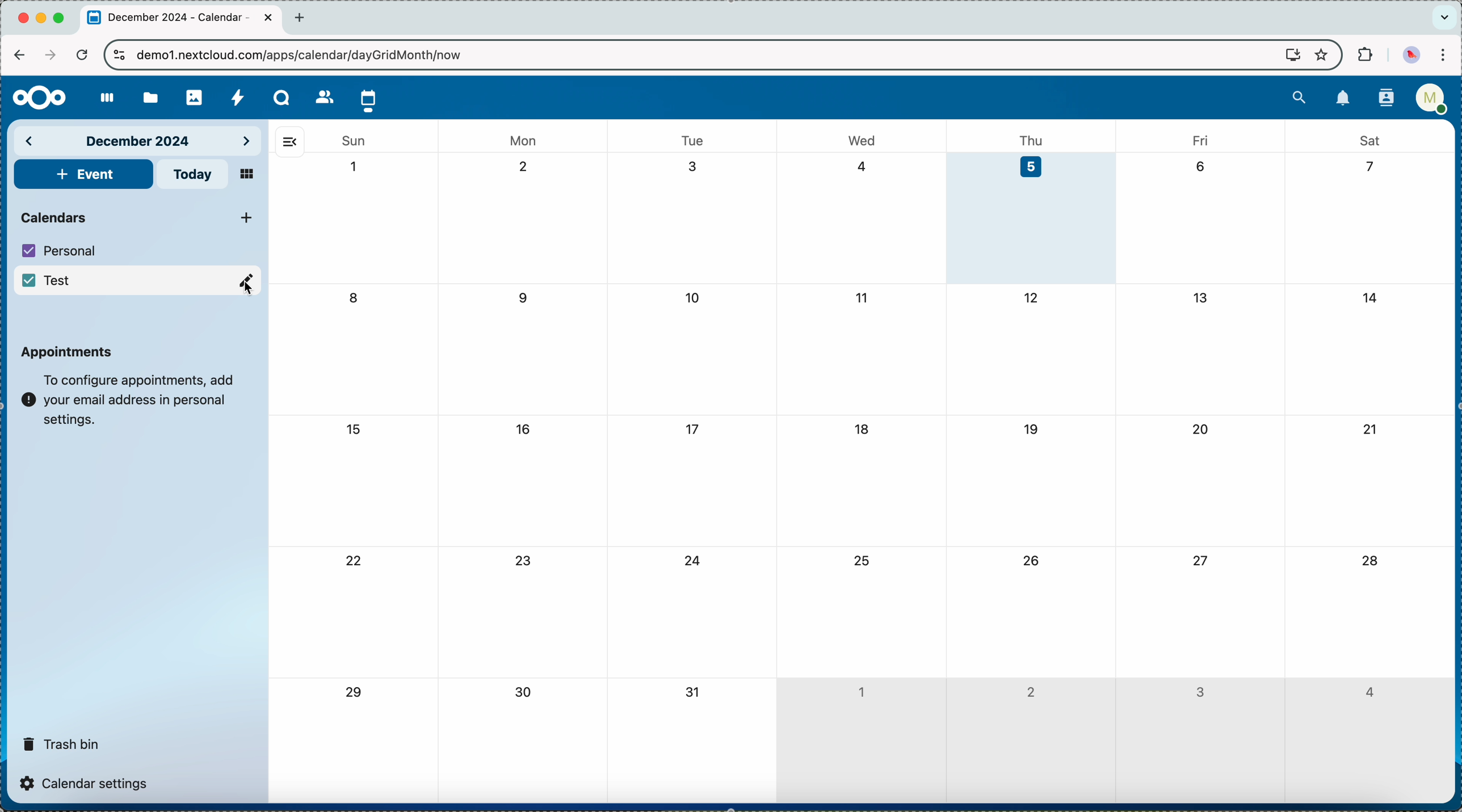 This screenshot has width=1462, height=812. What do you see at coordinates (863, 140) in the screenshot?
I see `wed` at bounding box center [863, 140].